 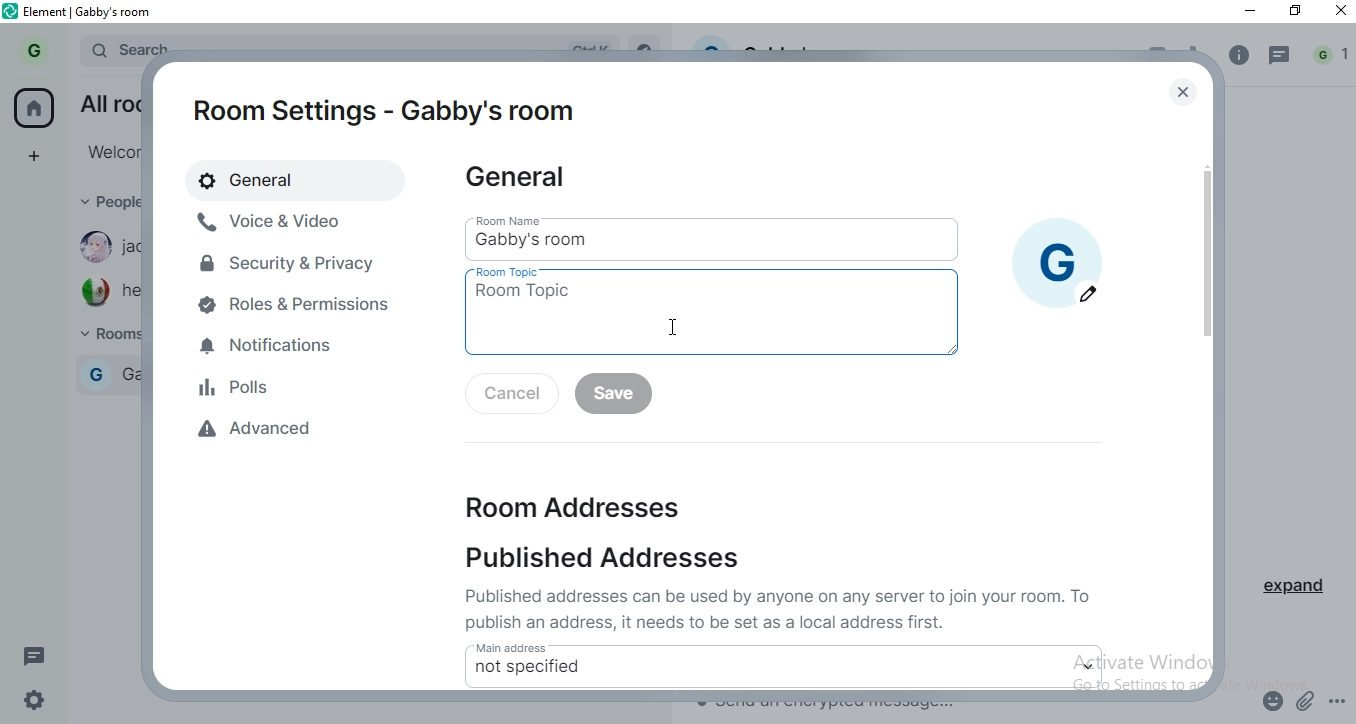 I want to click on , so click(x=1340, y=697).